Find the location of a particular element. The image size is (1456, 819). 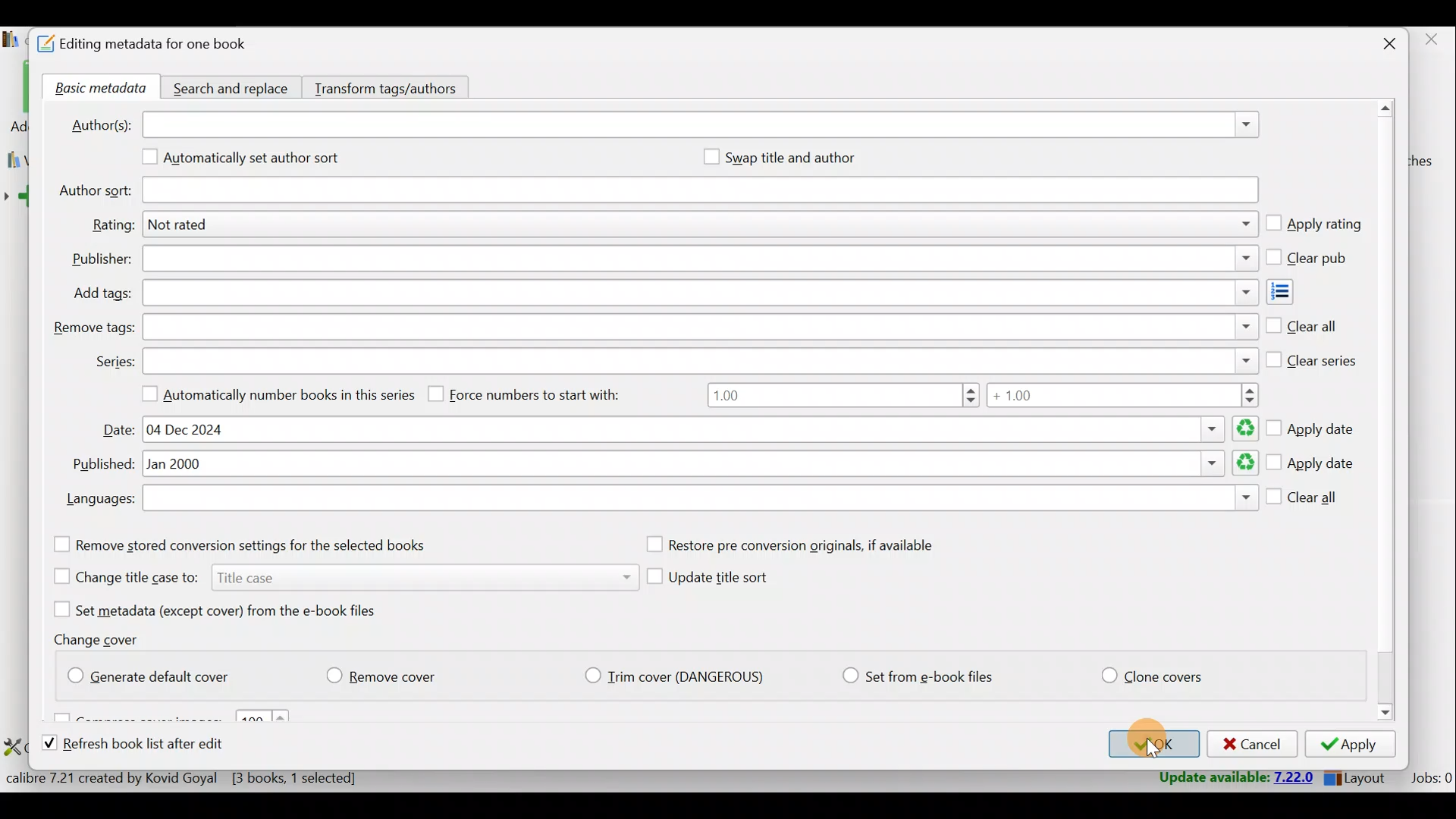

Jobs is located at coordinates (1430, 777).